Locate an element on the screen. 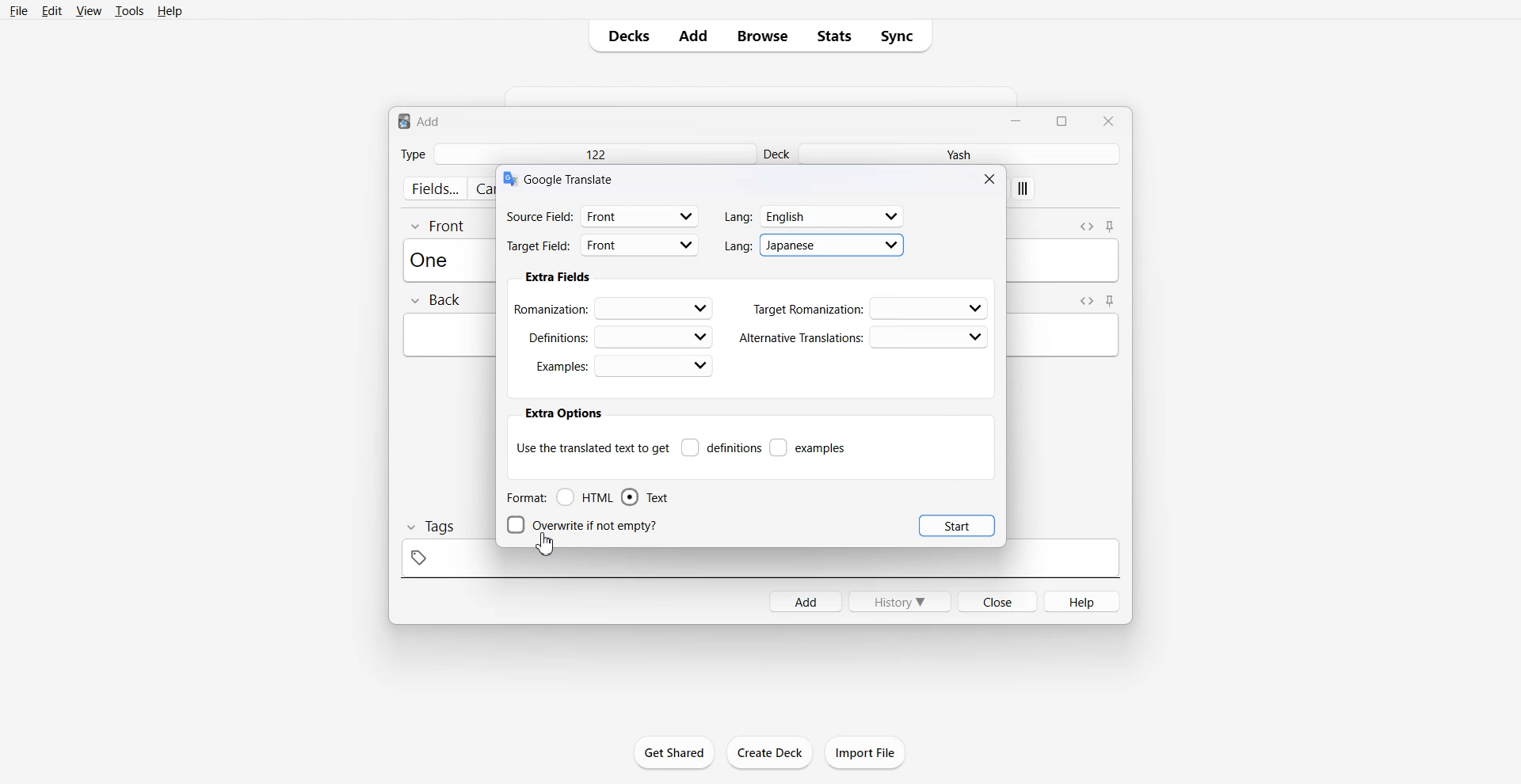  Language is located at coordinates (815, 216).